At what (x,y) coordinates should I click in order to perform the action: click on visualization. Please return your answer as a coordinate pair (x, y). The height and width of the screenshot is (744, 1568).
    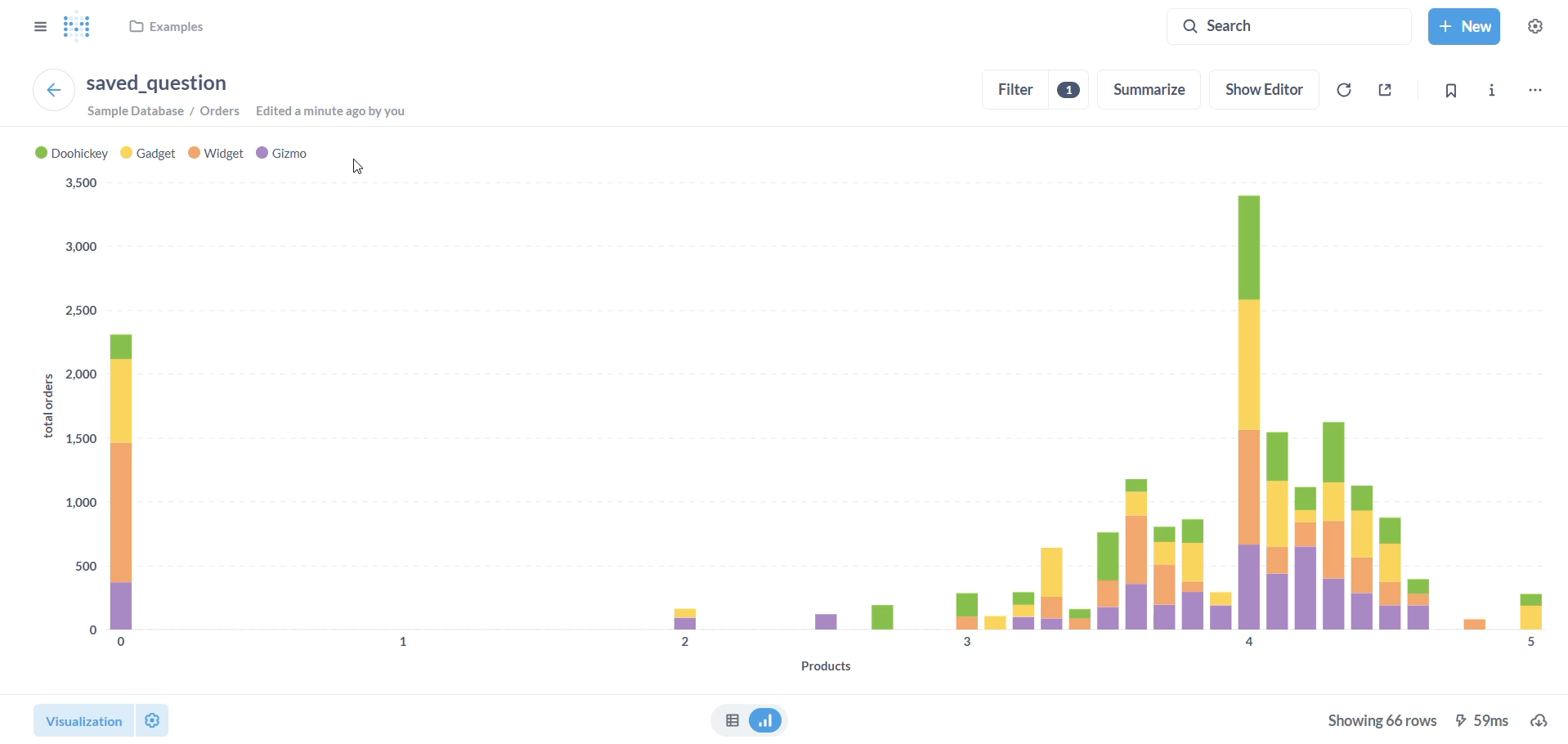
    Looking at the image, I should click on (106, 720).